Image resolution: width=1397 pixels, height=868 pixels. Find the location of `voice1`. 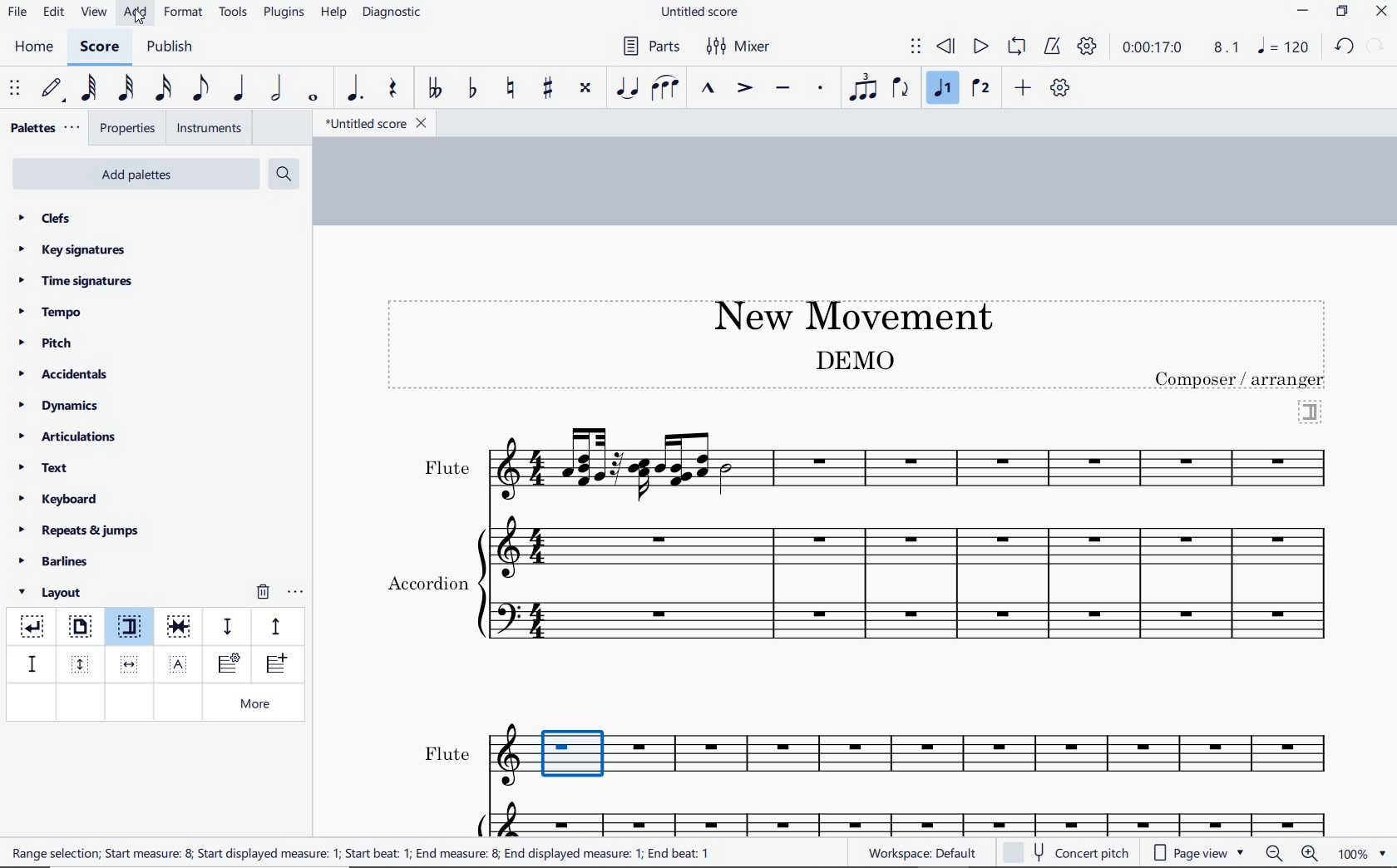

voice1 is located at coordinates (945, 89).